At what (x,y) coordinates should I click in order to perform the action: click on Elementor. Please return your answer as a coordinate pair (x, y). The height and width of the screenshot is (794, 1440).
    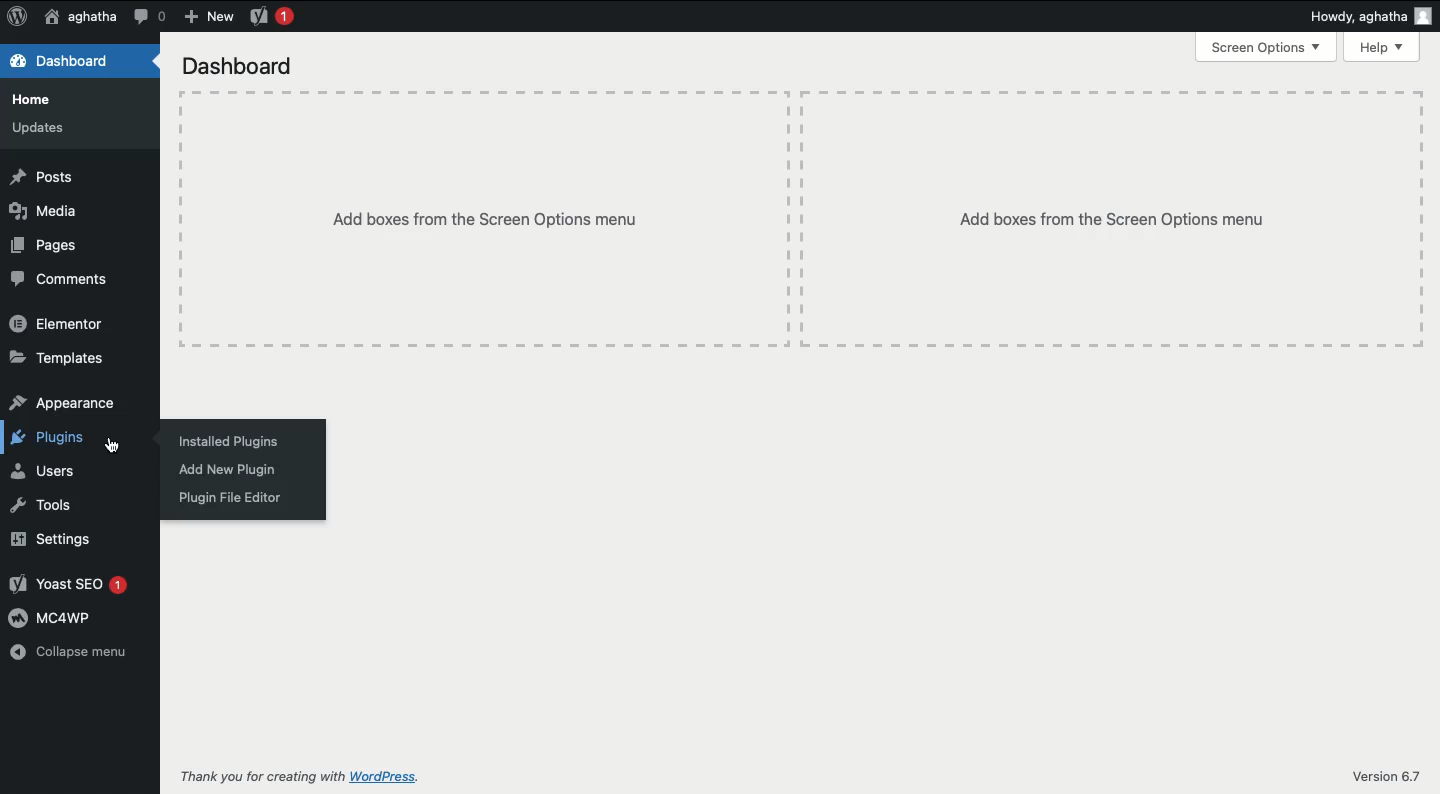
    Looking at the image, I should click on (61, 326).